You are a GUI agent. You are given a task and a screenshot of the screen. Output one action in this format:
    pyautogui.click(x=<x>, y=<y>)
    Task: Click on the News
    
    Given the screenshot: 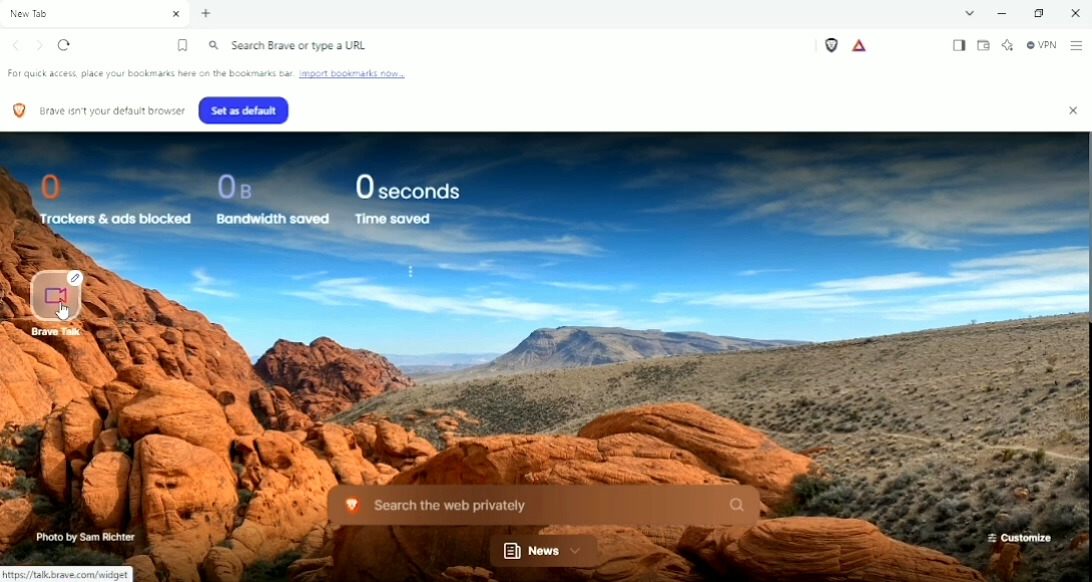 What is the action you would take?
    pyautogui.click(x=545, y=552)
    